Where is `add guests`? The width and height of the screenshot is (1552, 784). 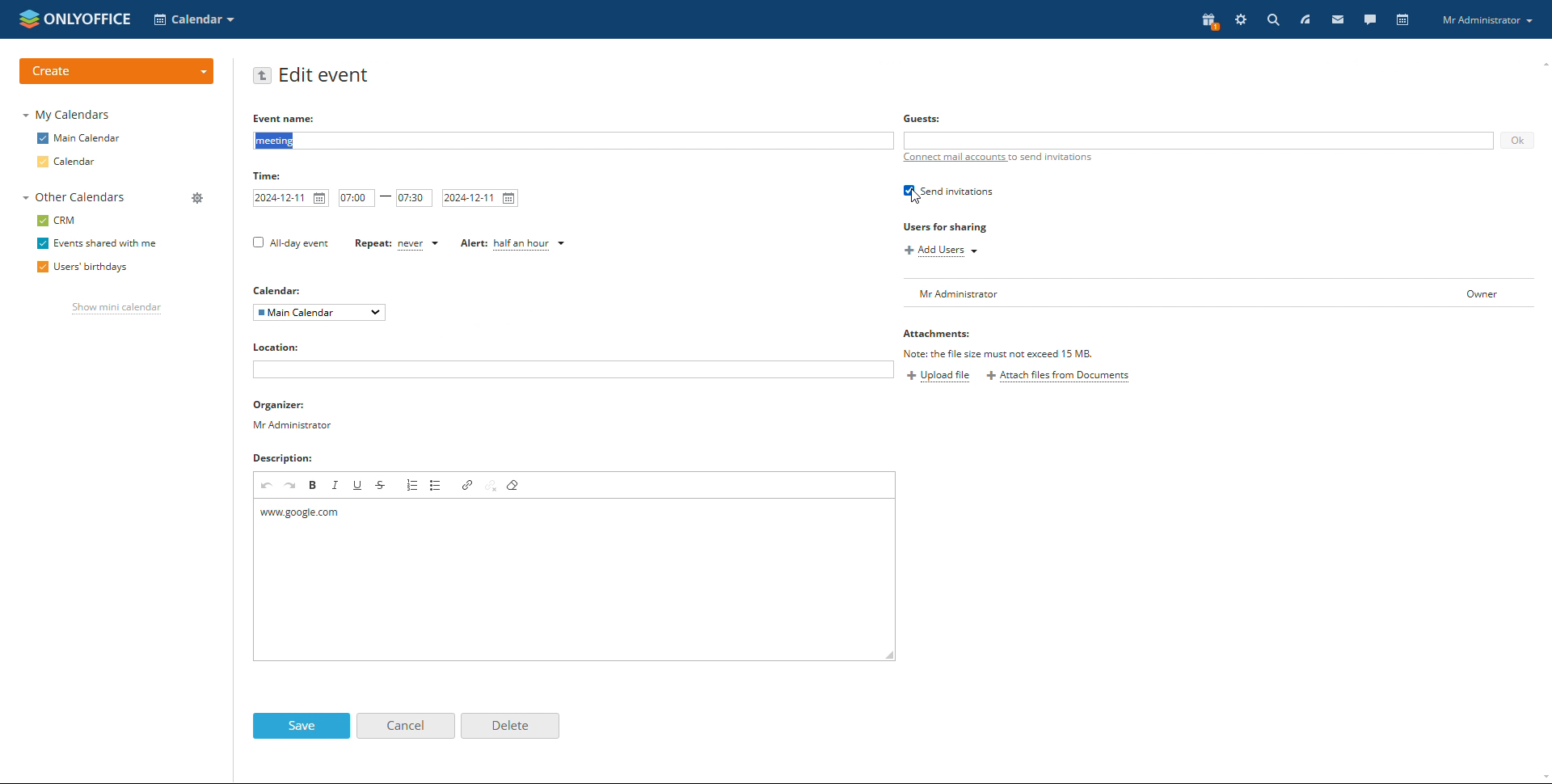 add guests is located at coordinates (1198, 141).